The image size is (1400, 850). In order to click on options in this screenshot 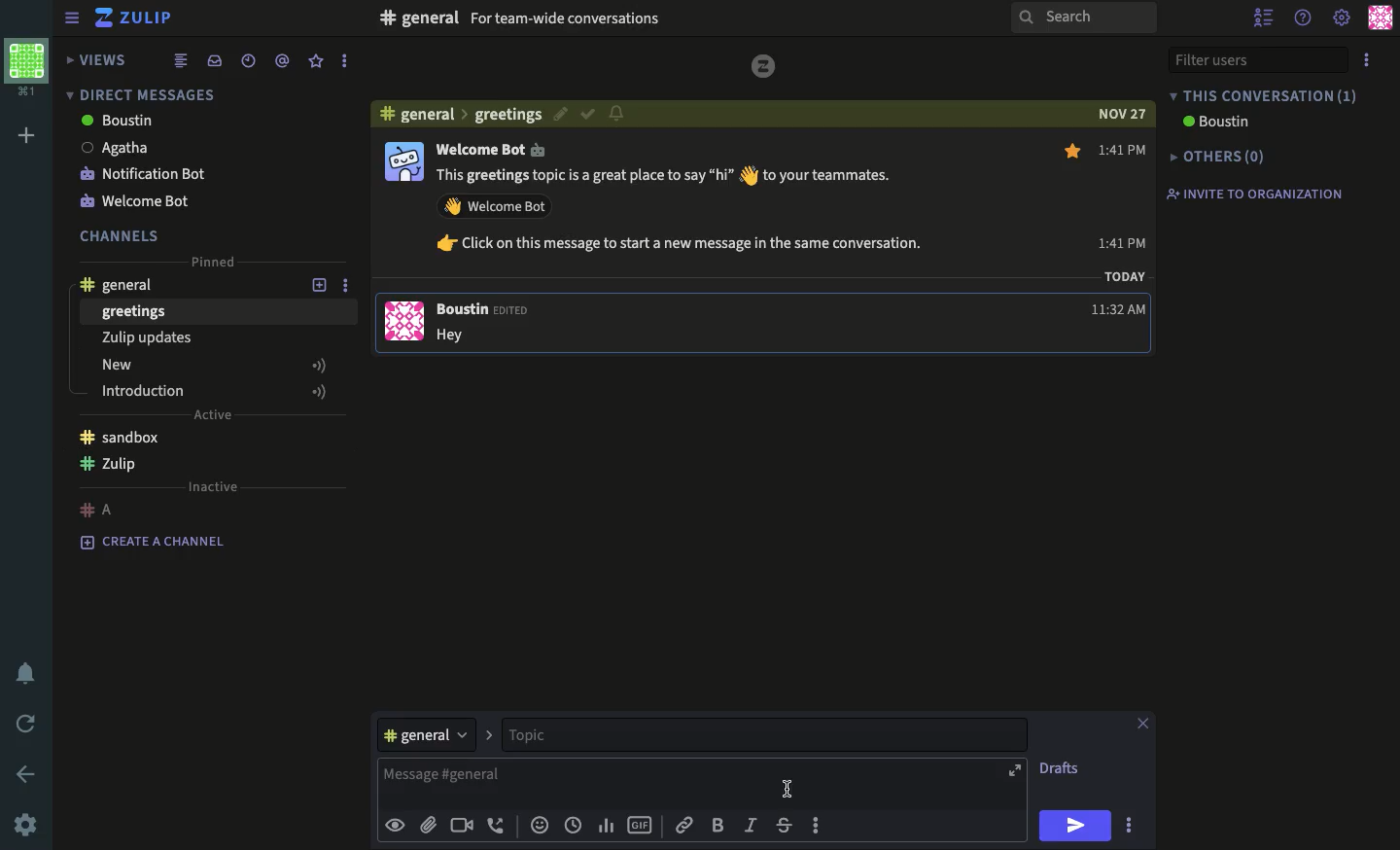, I will do `click(1369, 59)`.